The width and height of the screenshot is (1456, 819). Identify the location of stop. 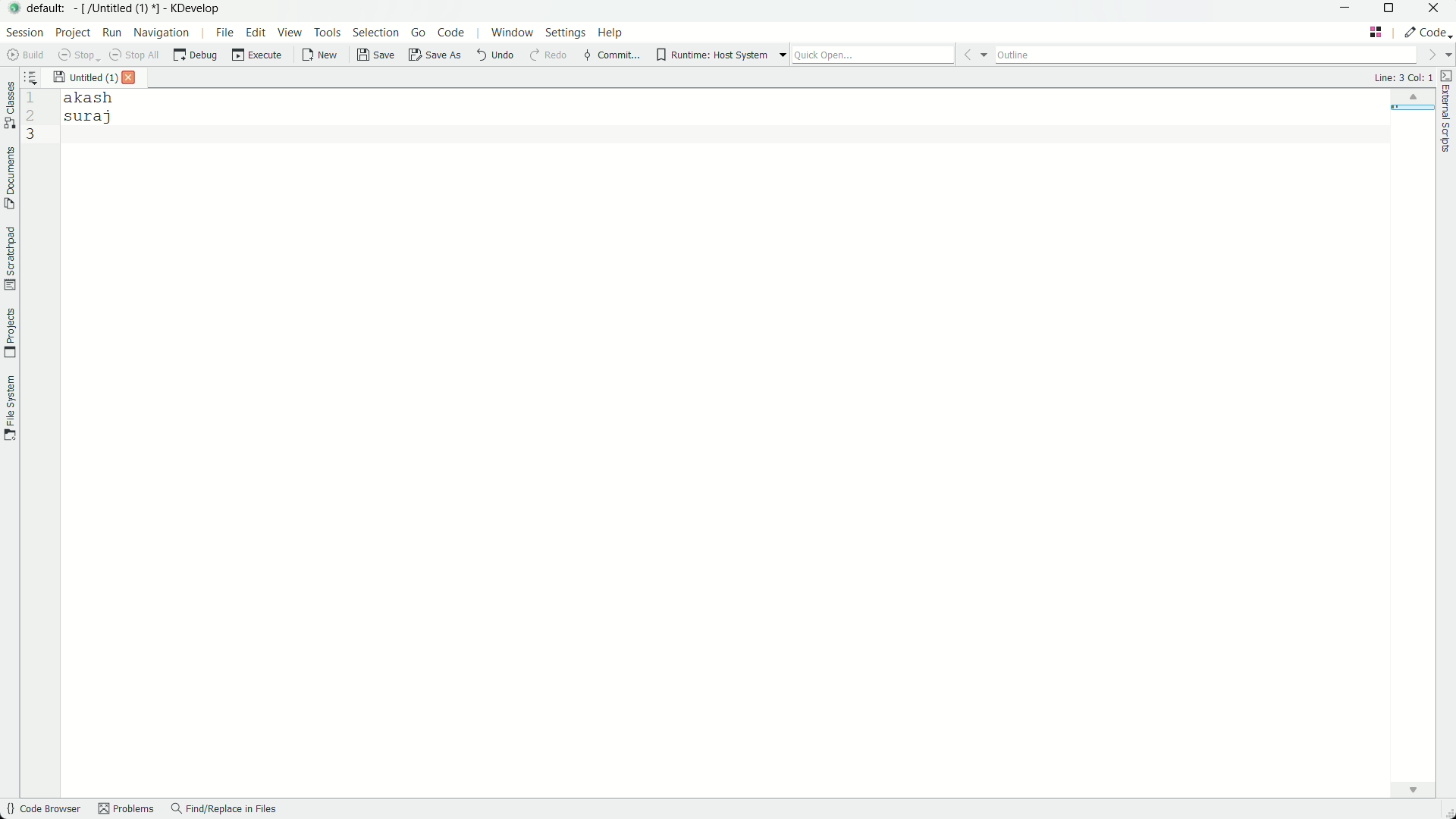
(75, 54).